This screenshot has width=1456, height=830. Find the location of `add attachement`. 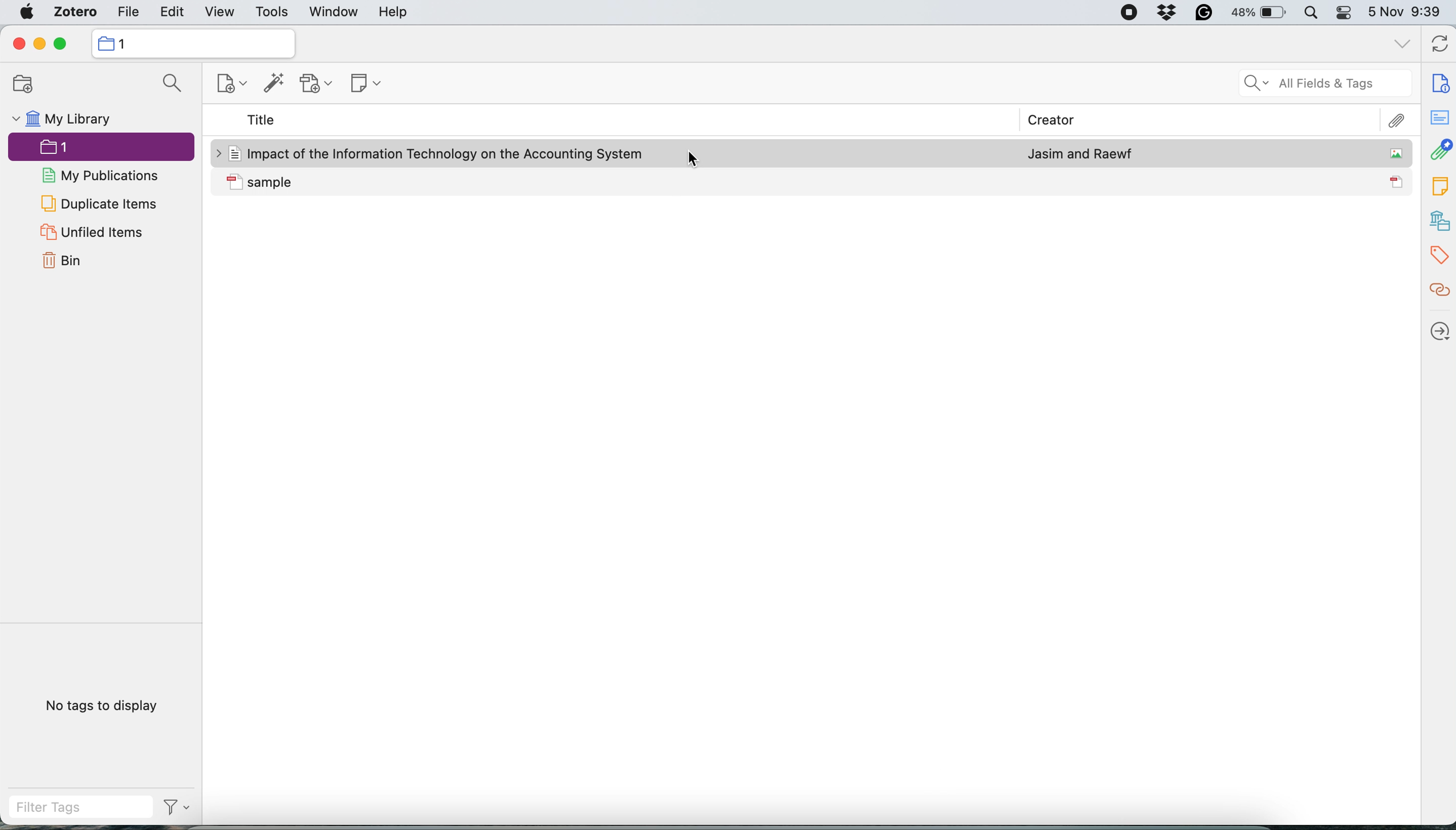

add attachement is located at coordinates (318, 83).